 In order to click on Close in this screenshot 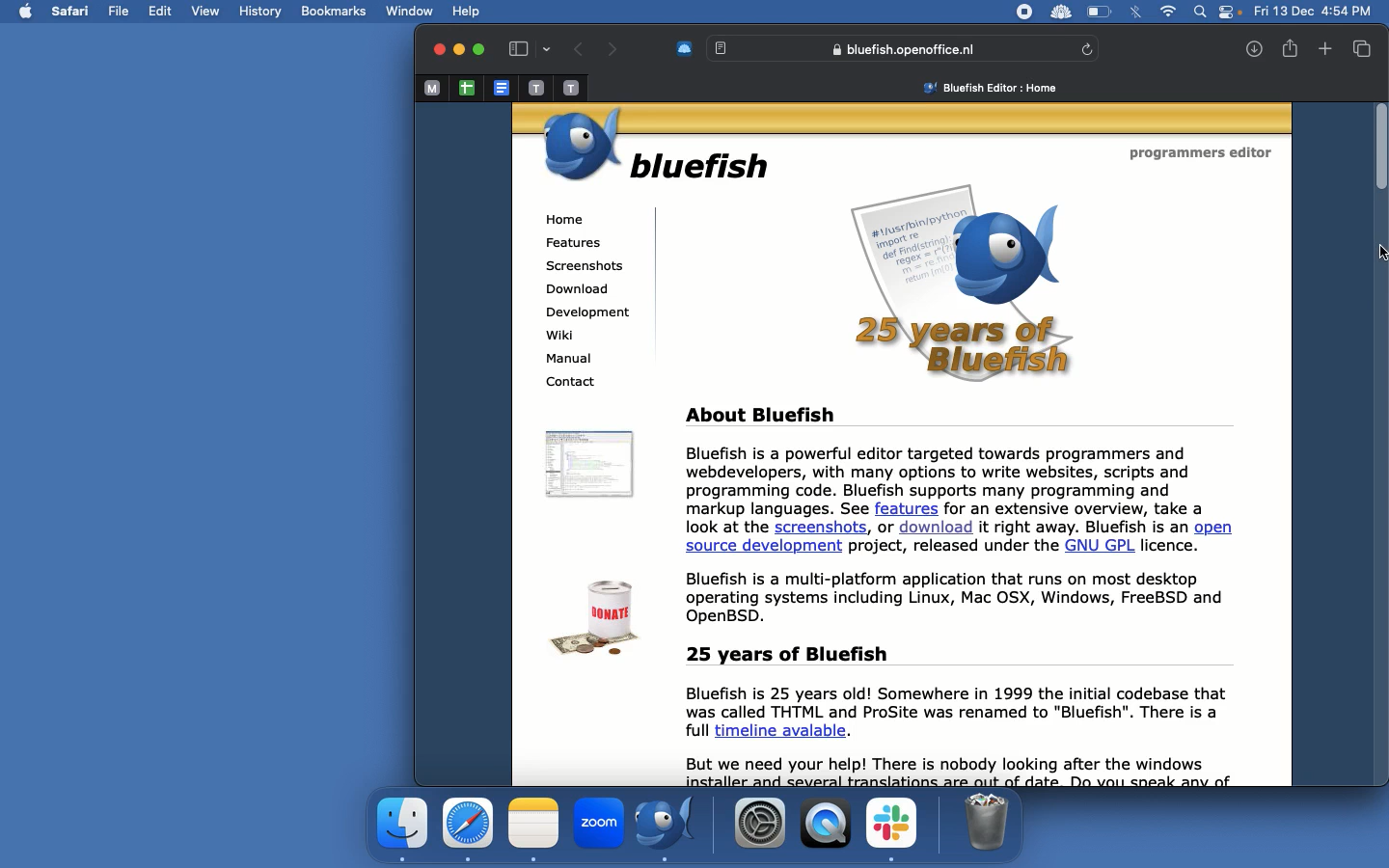, I will do `click(436, 50)`.